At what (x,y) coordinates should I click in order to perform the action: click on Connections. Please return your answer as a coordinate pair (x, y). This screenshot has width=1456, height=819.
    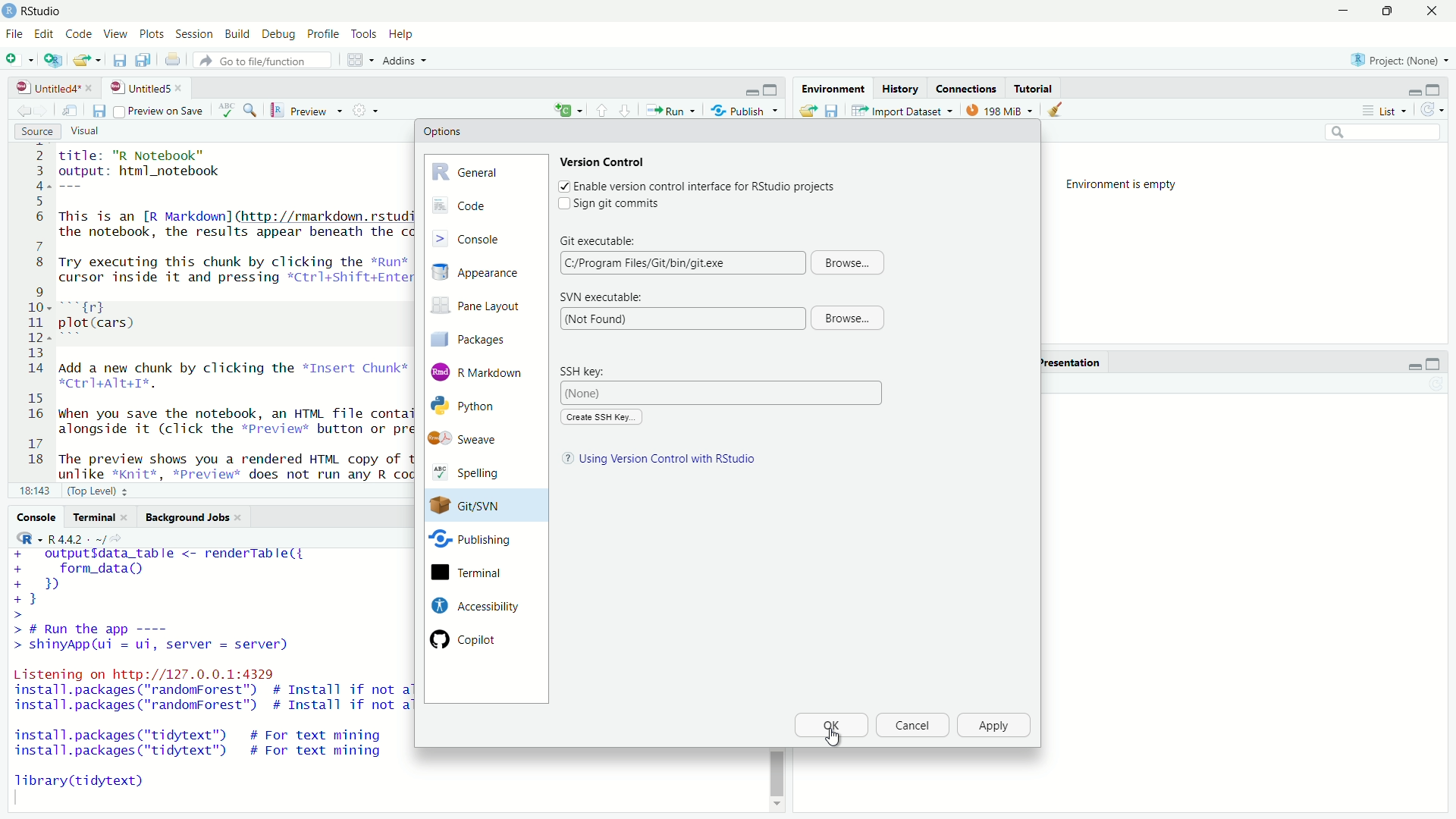
    Looking at the image, I should click on (966, 88).